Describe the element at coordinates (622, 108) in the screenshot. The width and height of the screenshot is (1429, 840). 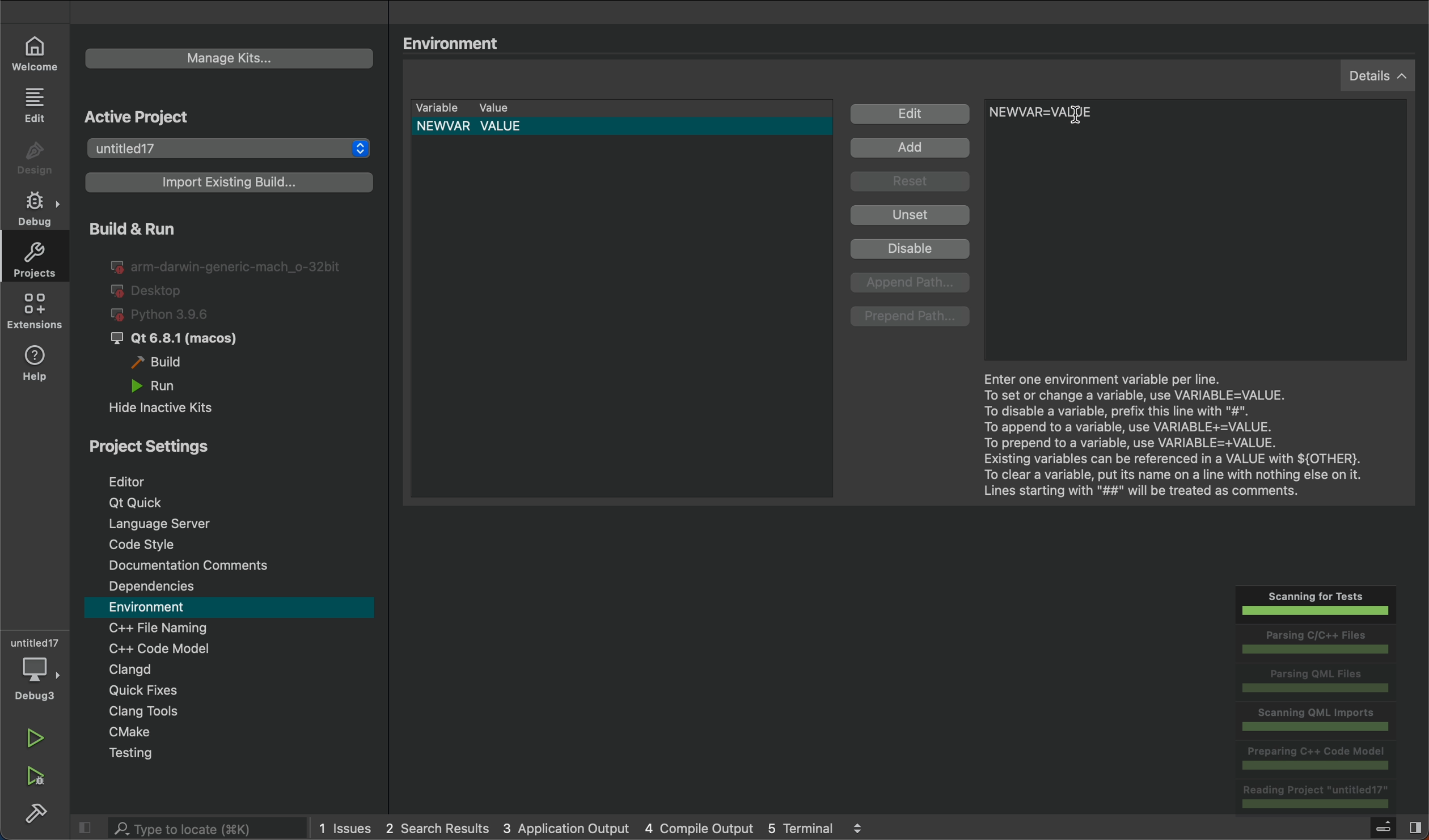
I see `variable lists` at that location.